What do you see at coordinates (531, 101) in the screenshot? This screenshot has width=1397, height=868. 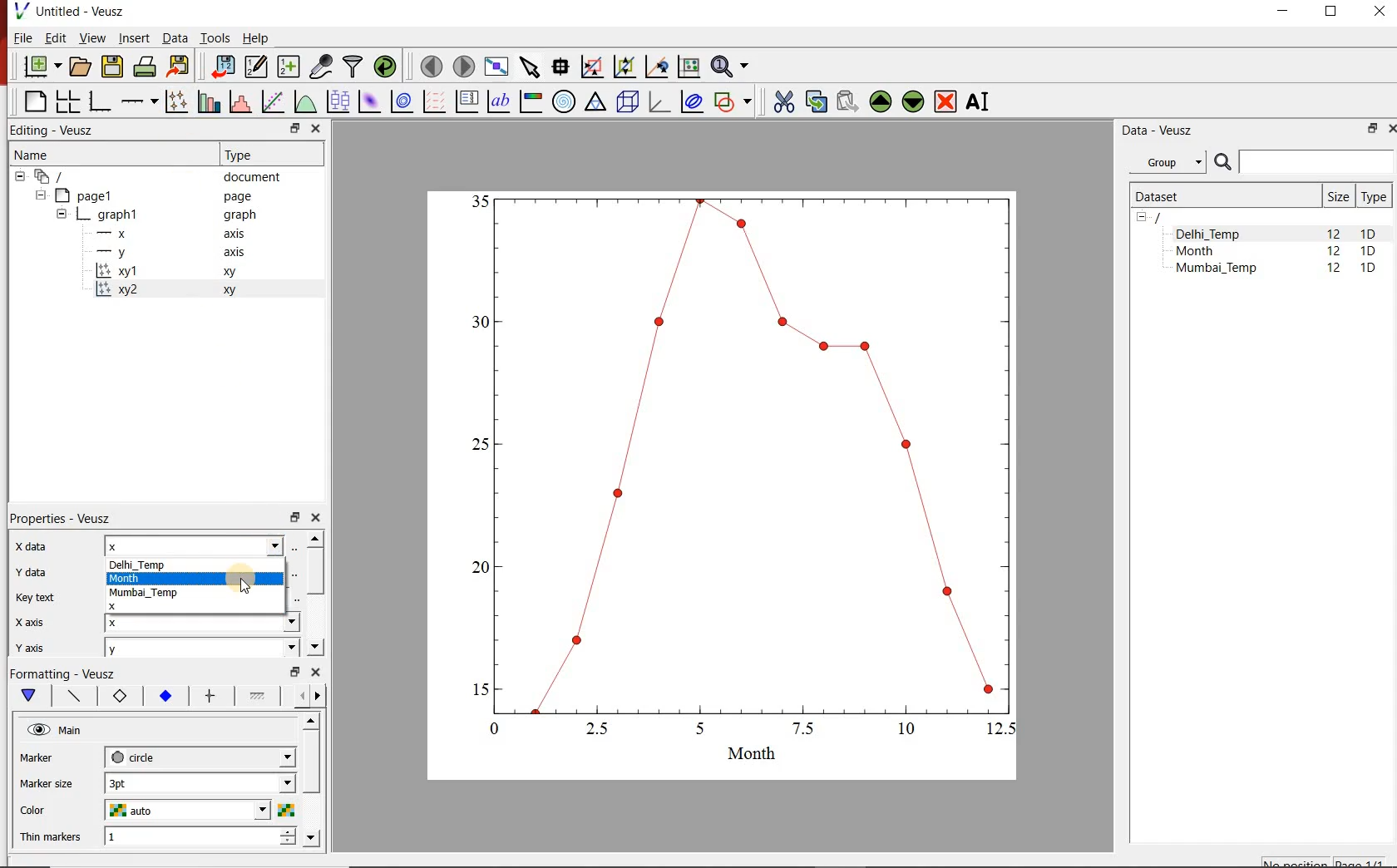 I see `image color bar` at bounding box center [531, 101].